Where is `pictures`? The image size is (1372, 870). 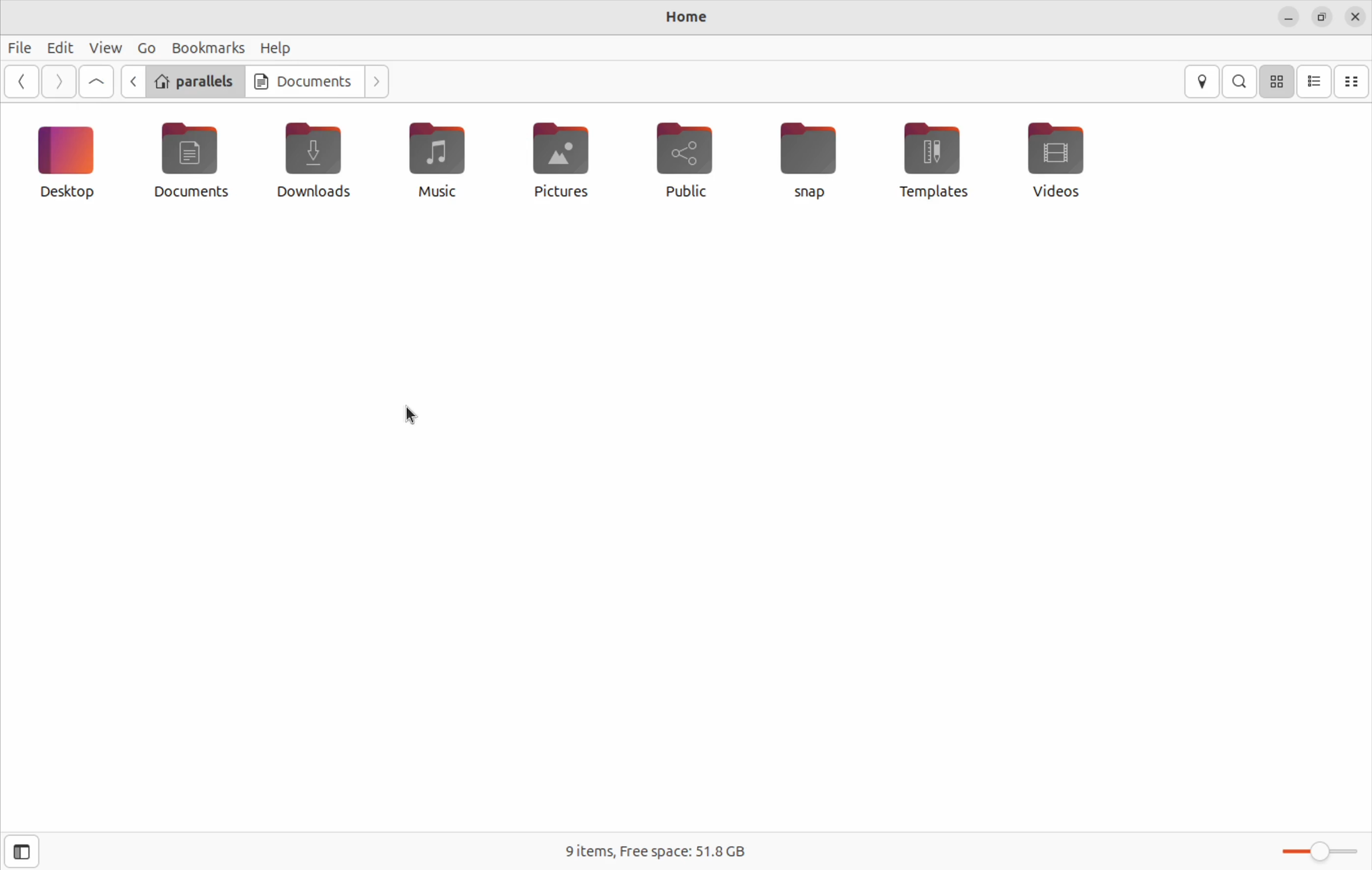
pictures is located at coordinates (562, 164).